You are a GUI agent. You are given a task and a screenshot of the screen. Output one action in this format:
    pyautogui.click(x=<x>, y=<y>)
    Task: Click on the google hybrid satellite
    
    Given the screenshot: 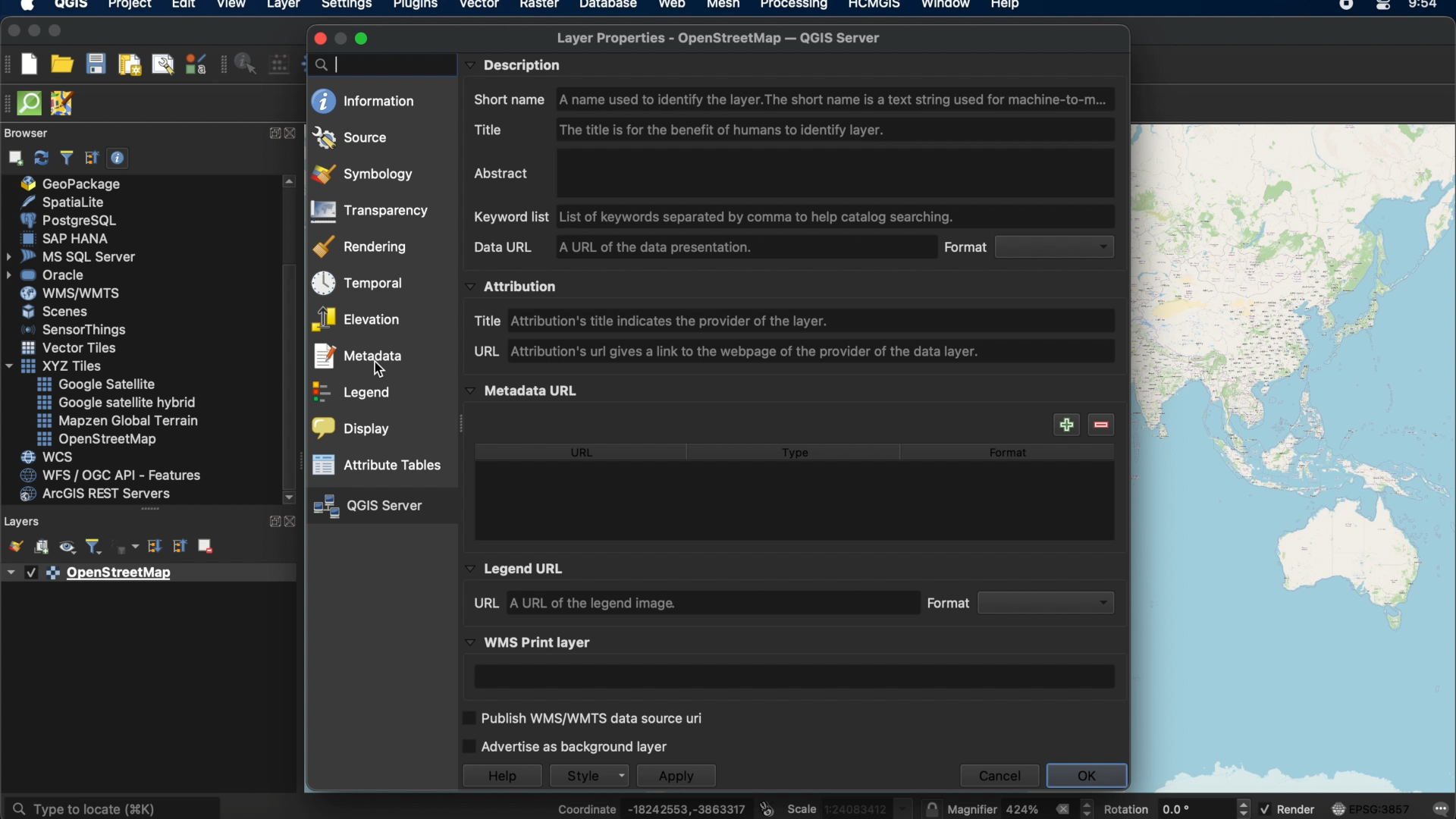 What is the action you would take?
    pyautogui.click(x=113, y=400)
    